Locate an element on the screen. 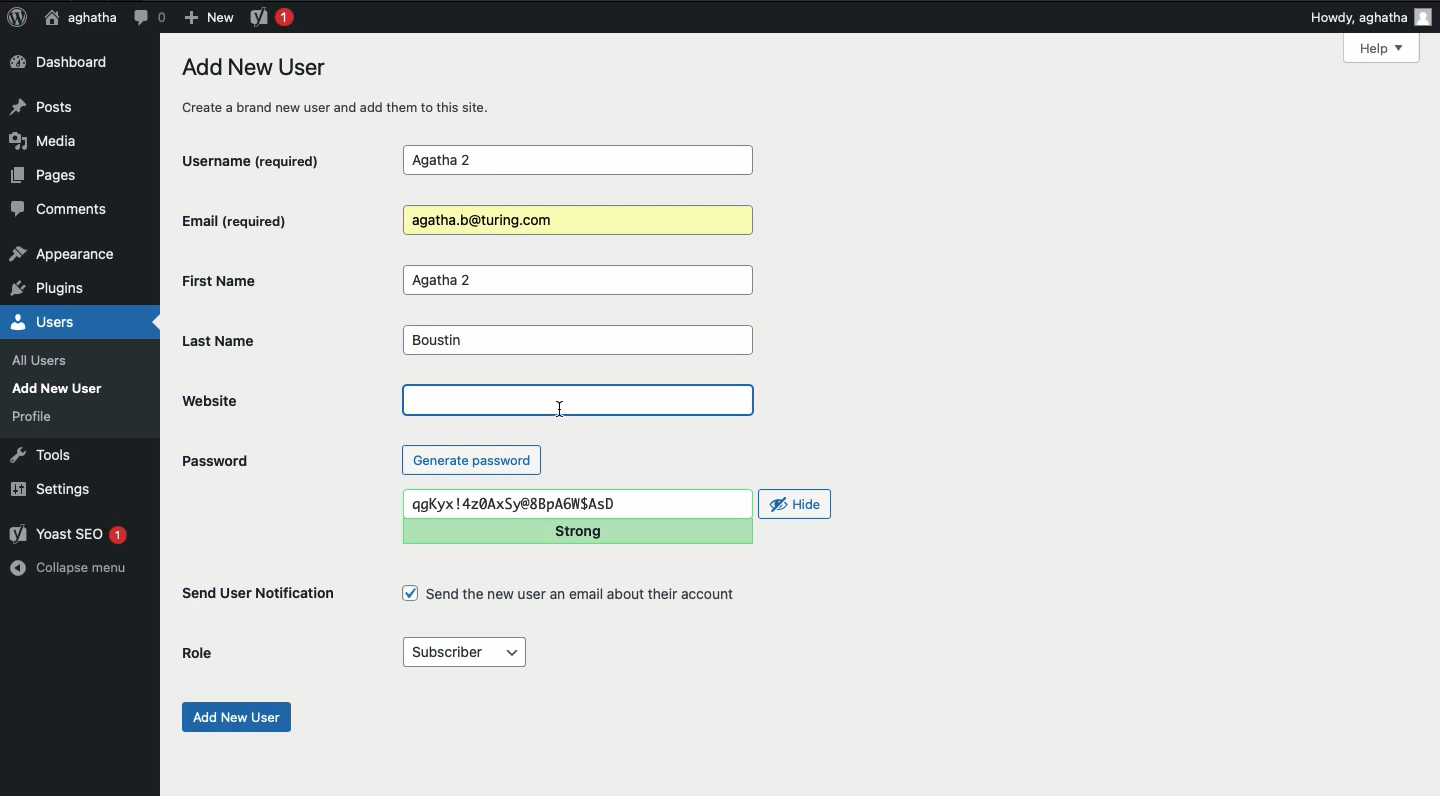  Yoast is located at coordinates (270, 16).